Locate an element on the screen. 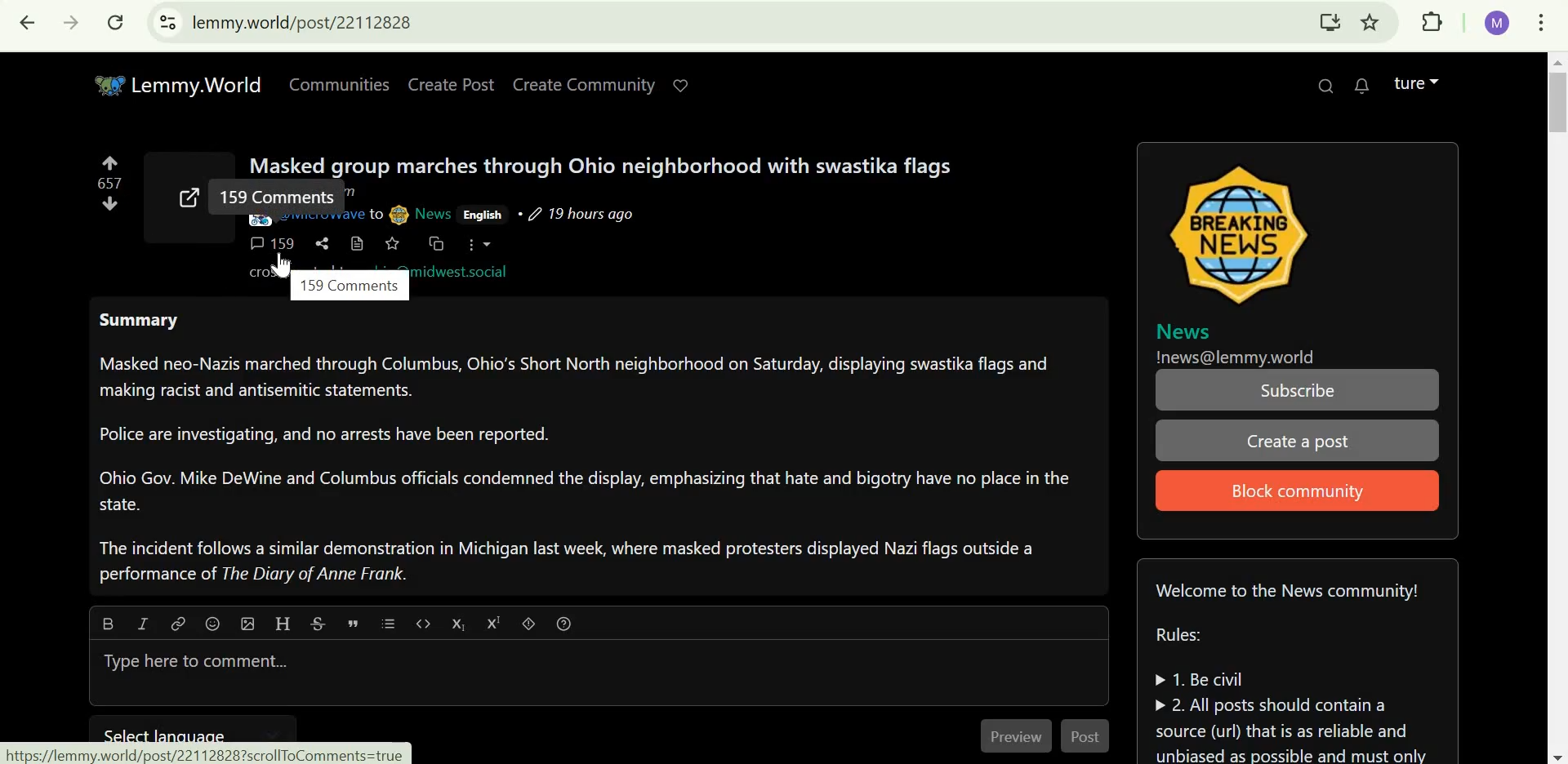 The width and height of the screenshot is (1568, 764). Click to go back, hold to see history is located at coordinates (30, 24).